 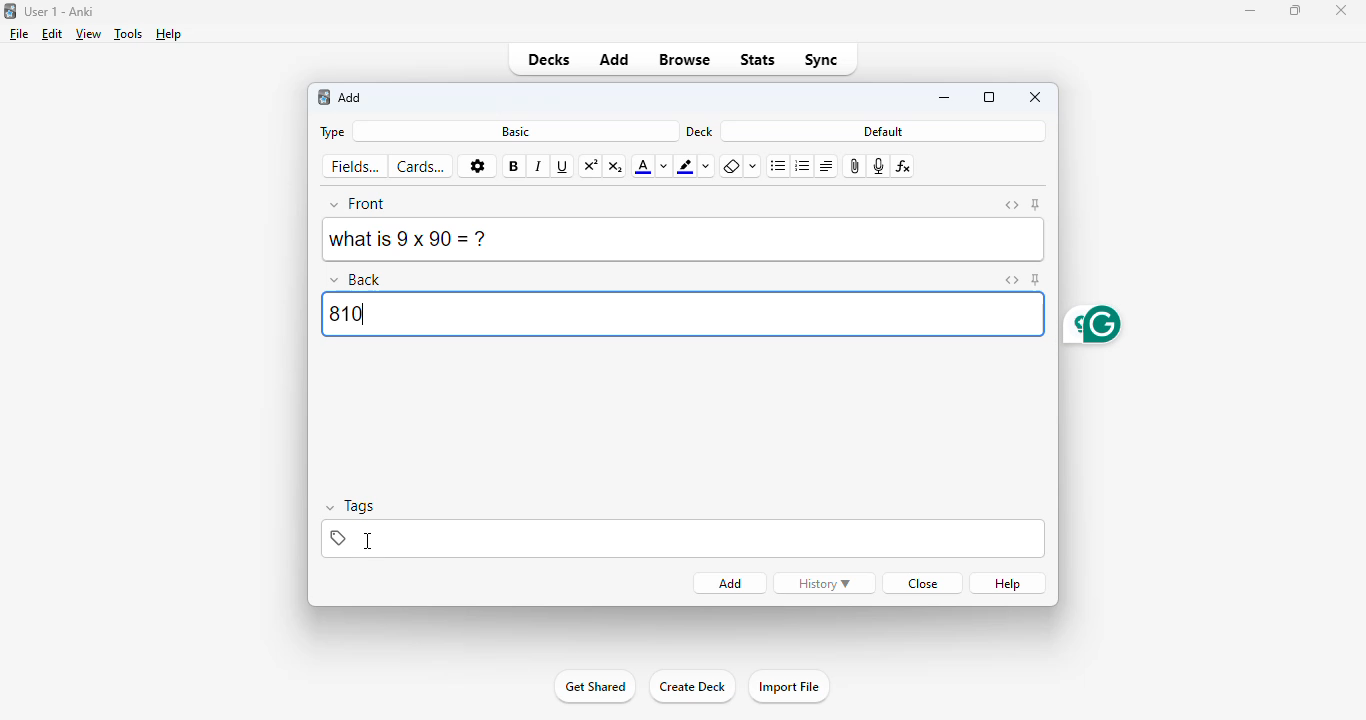 I want to click on edit, so click(x=52, y=34).